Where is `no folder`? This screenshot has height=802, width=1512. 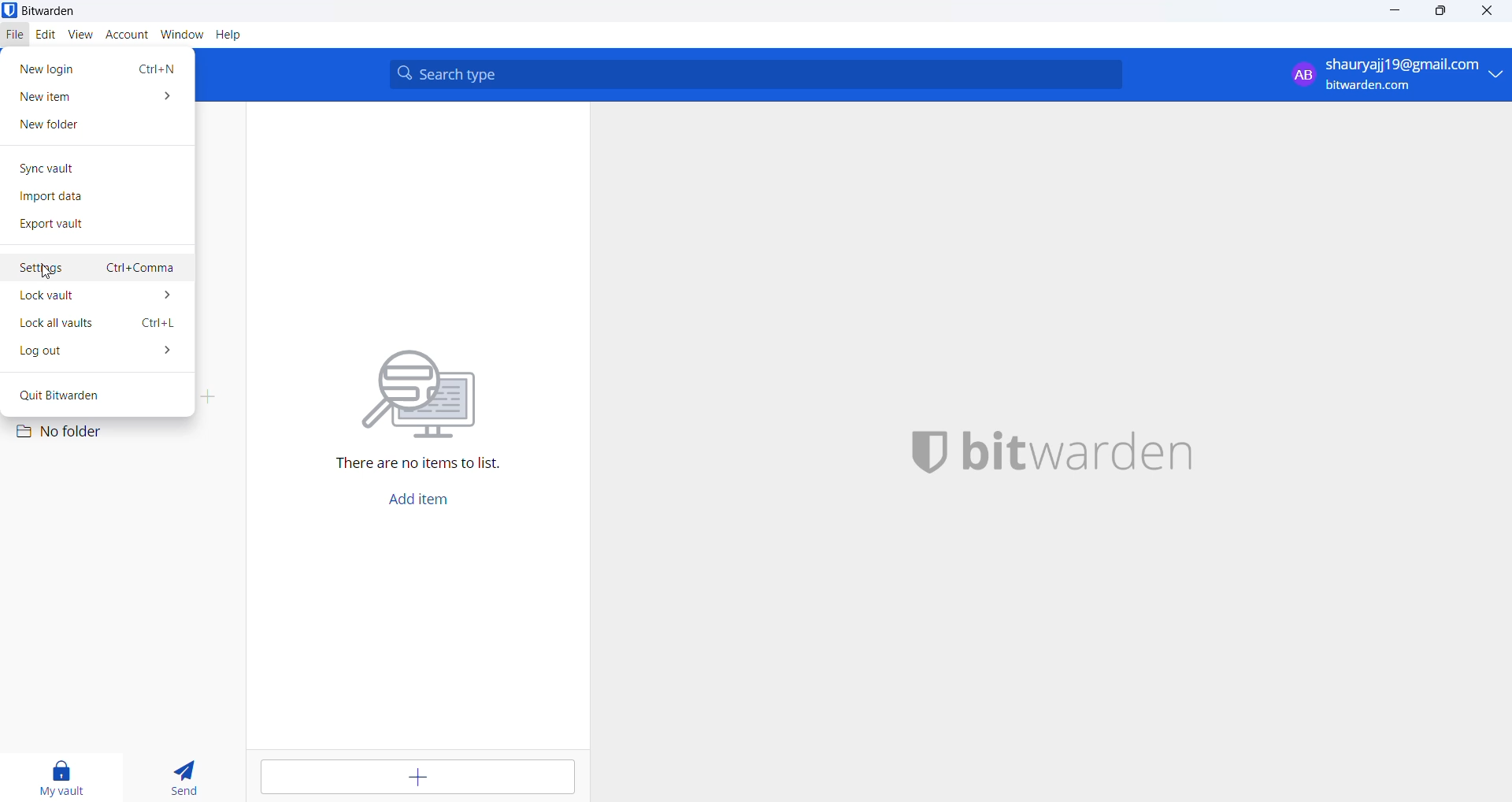
no folder is located at coordinates (77, 430).